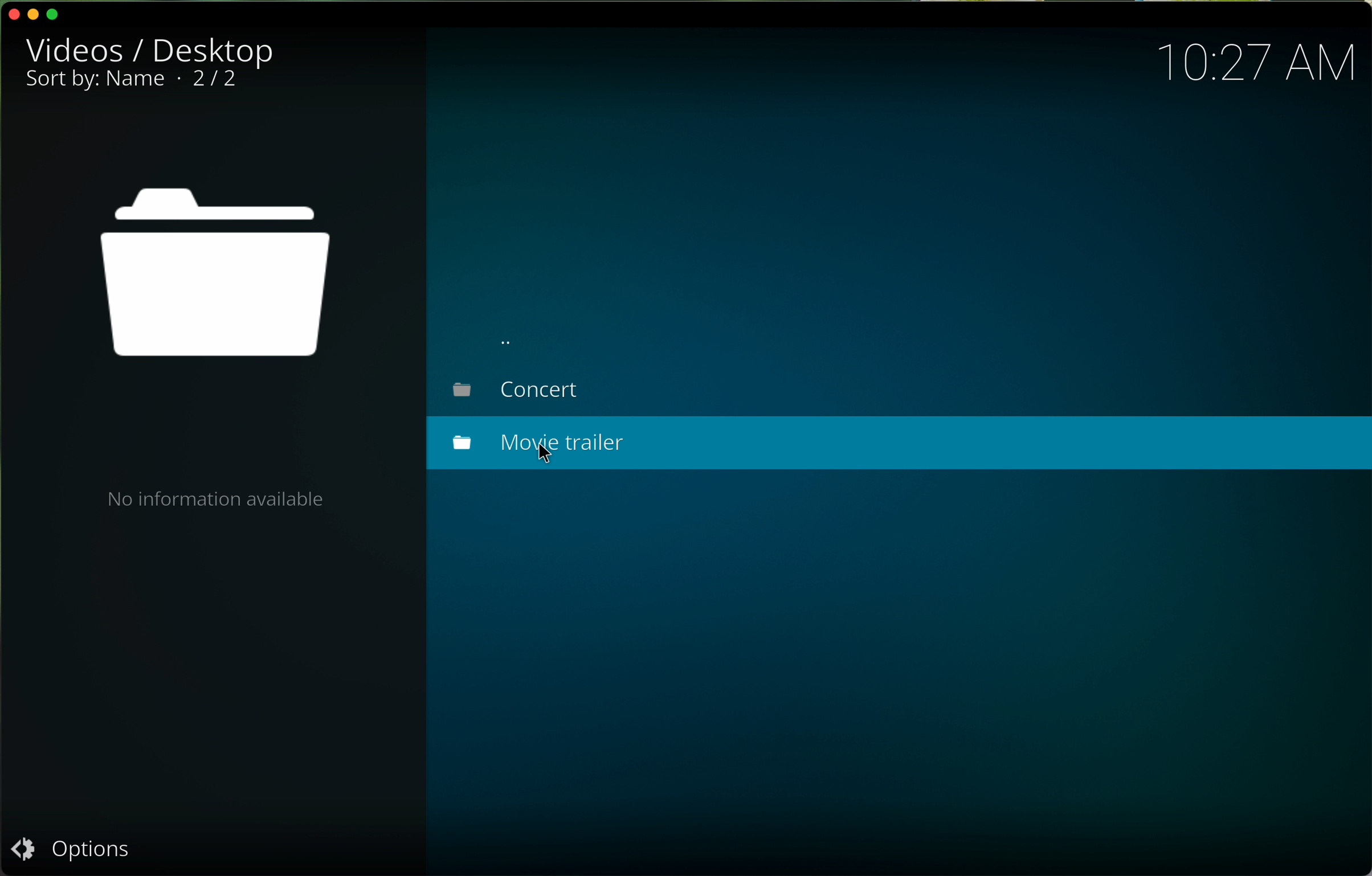  What do you see at coordinates (900, 443) in the screenshot?
I see `click on movie trailer file` at bounding box center [900, 443].